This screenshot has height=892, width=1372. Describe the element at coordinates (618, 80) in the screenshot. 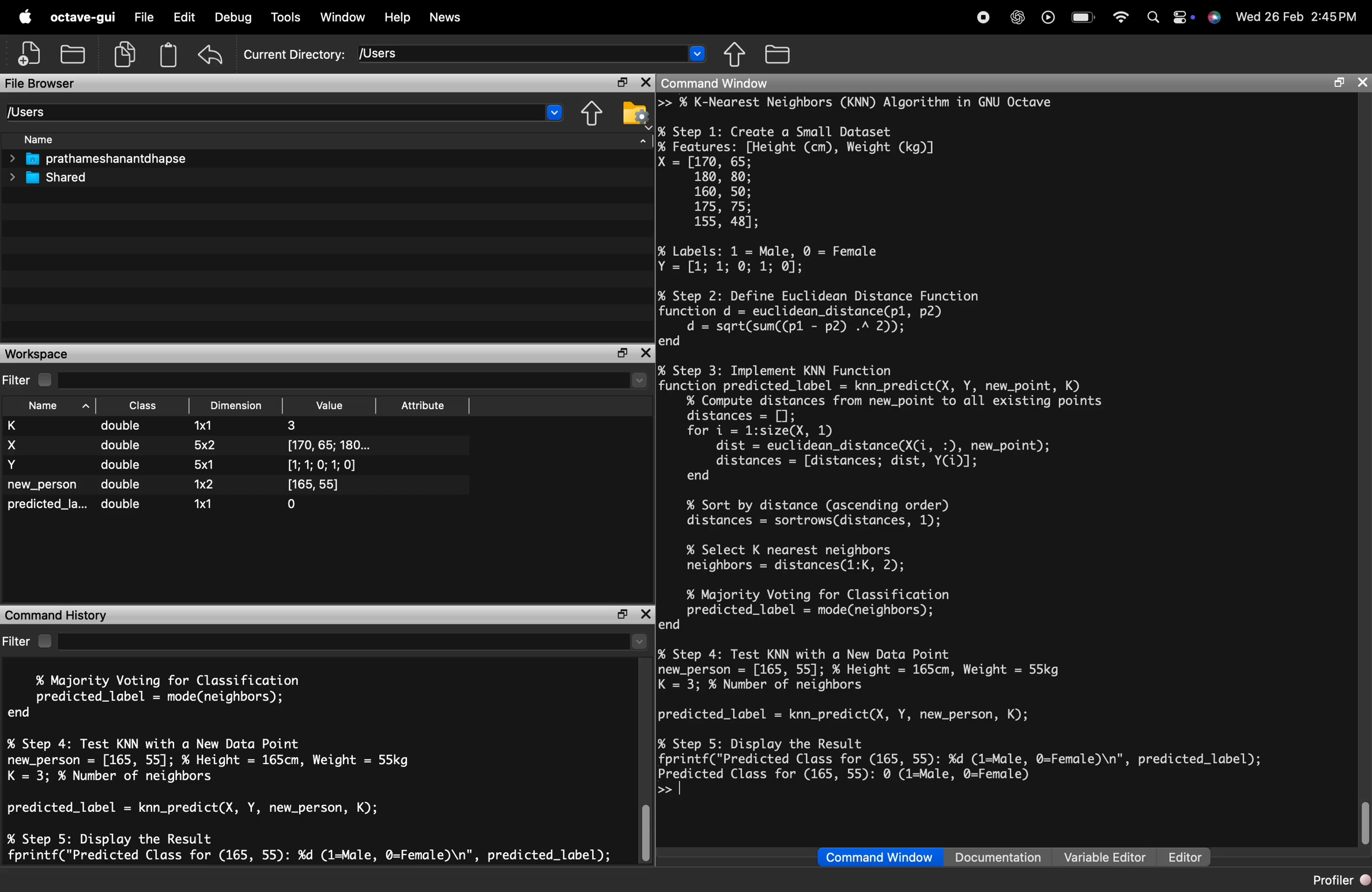

I see `maximise` at that location.